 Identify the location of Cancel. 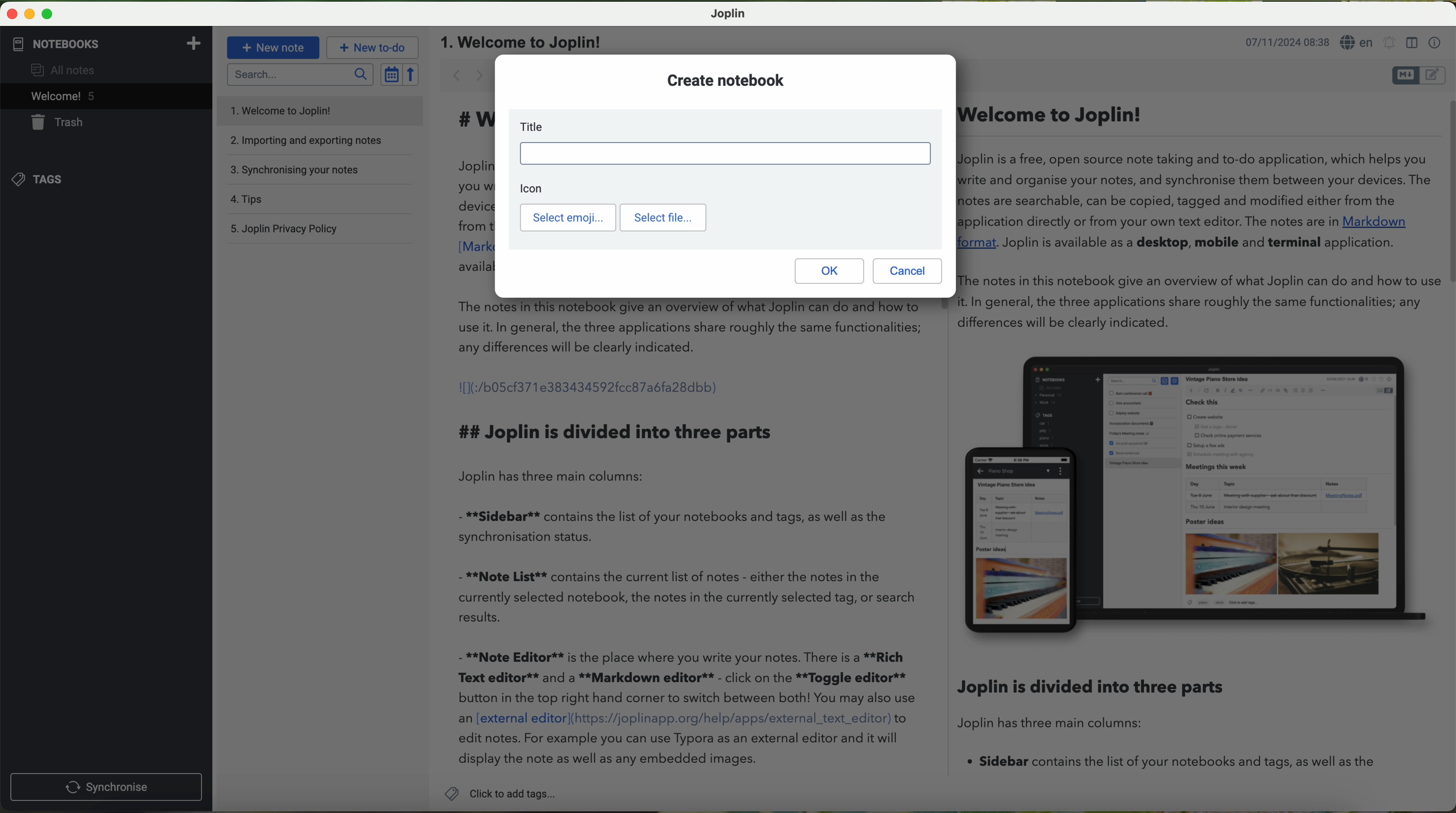
(908, 271).